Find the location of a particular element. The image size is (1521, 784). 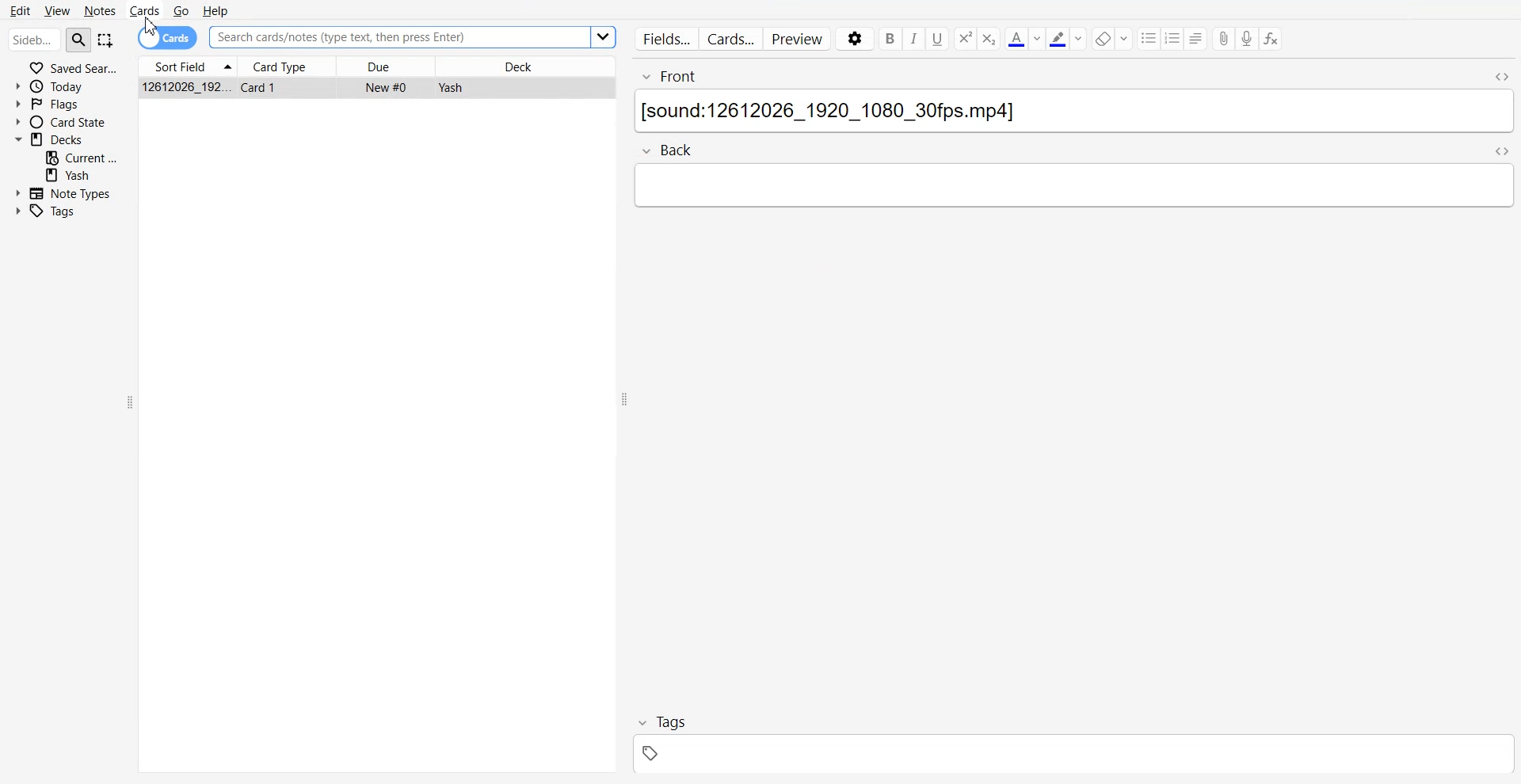

Subscript is located at coordinates (964, 39).